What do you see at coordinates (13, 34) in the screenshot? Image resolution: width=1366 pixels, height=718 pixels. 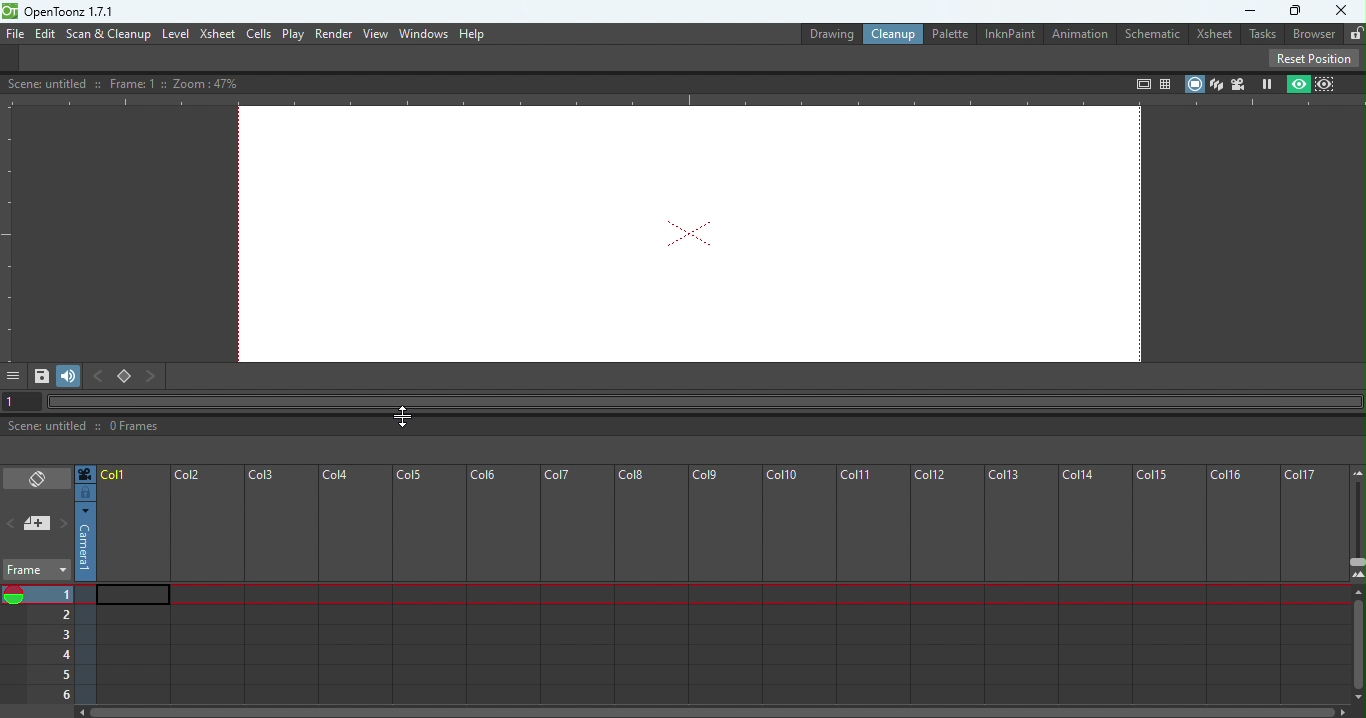 I see `File` at bounding box center [13, 34].